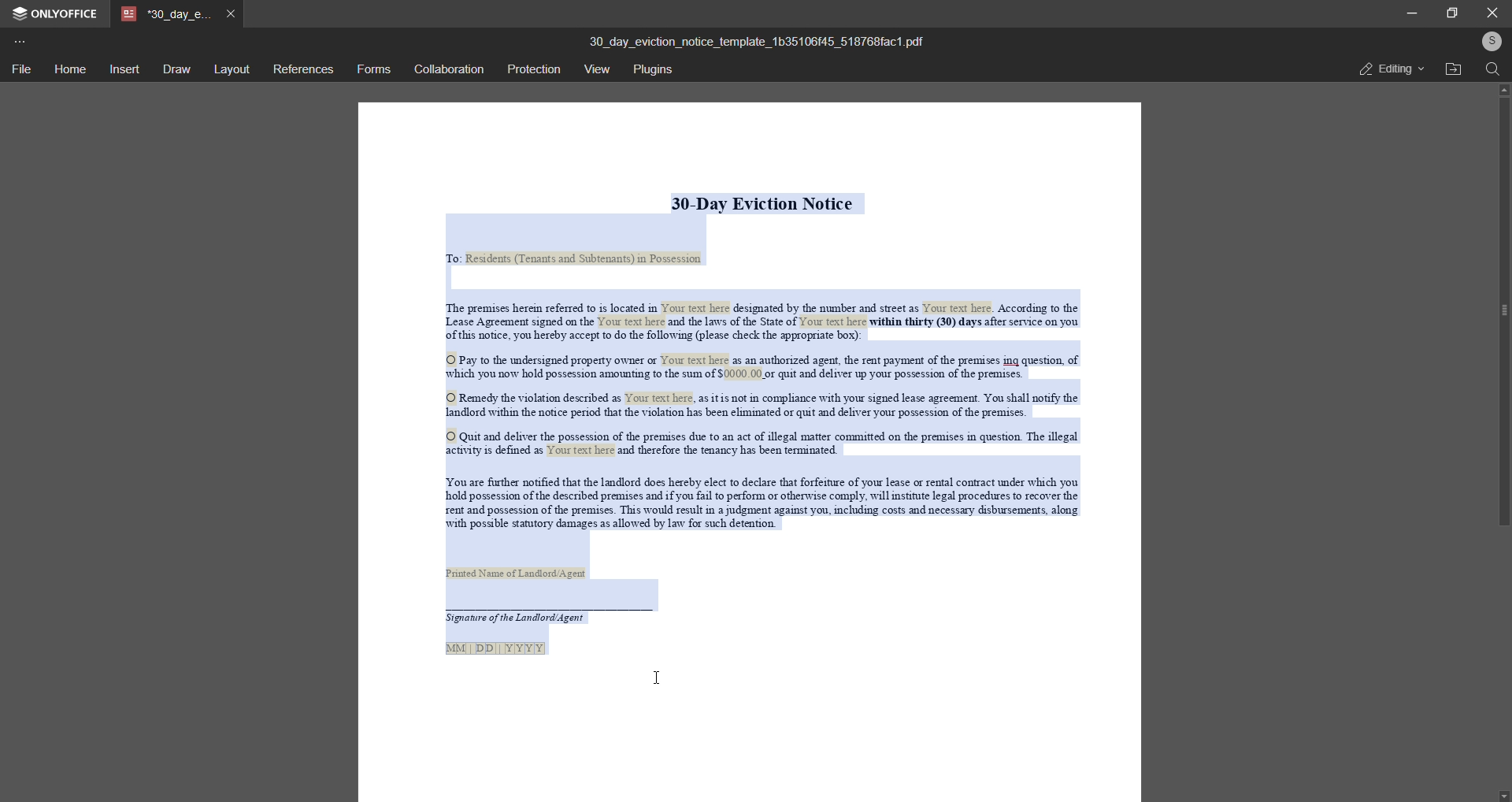 This screenshot has width=1512, height=802. I want to click on minimize, so click(1410, 13).